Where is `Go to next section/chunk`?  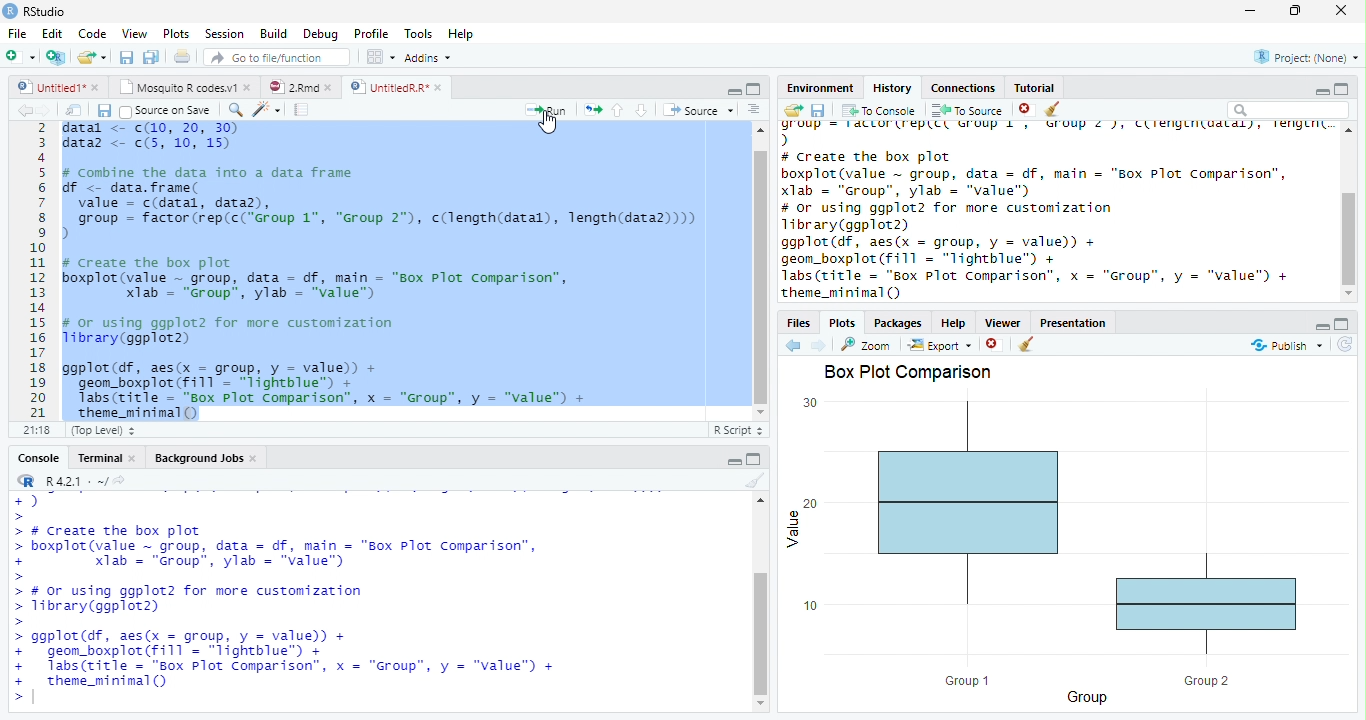 Go to next section/chunk is located at coordinates (641, 111).